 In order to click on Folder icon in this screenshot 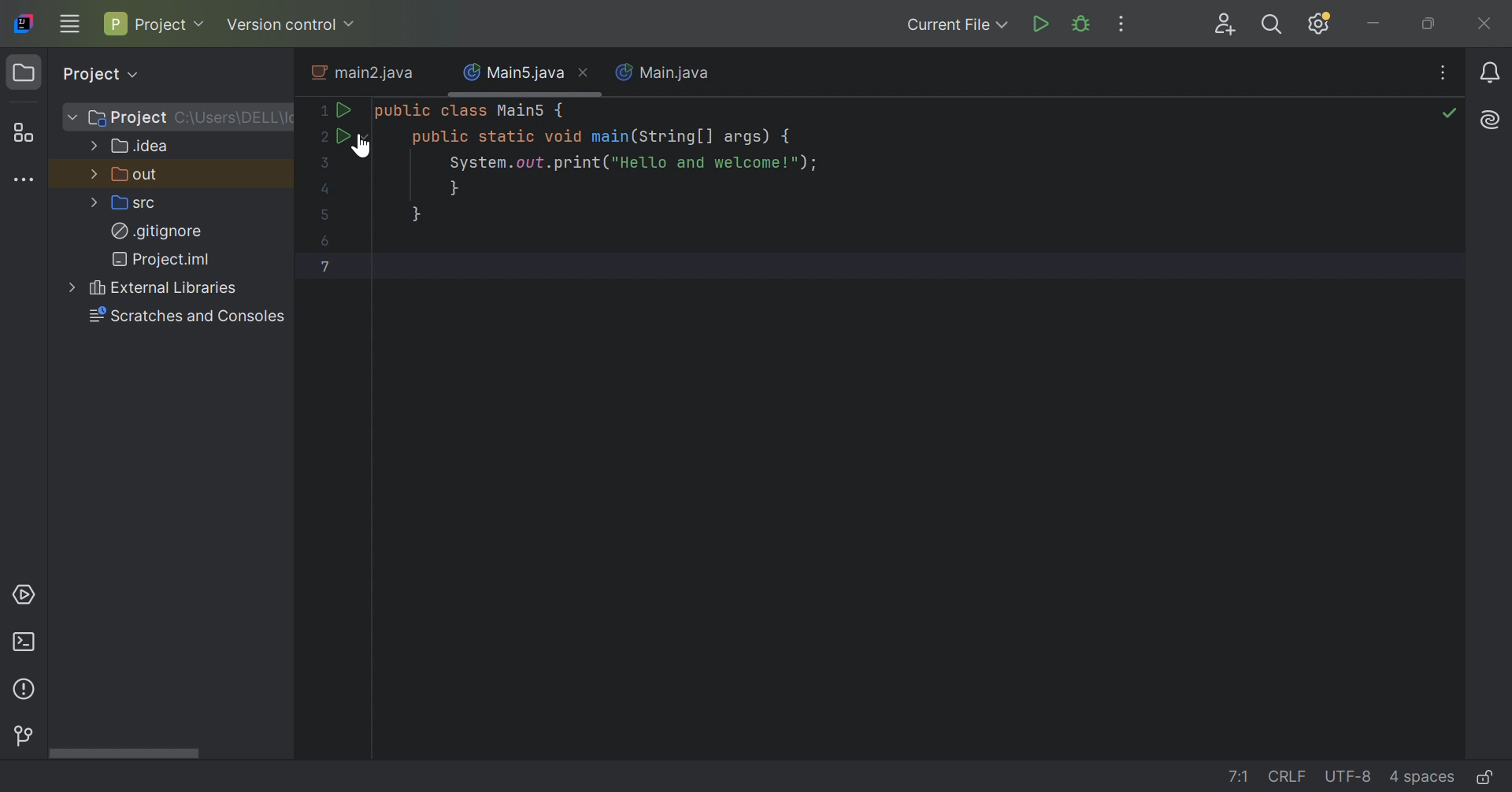, I will do `click(23, 75)`.